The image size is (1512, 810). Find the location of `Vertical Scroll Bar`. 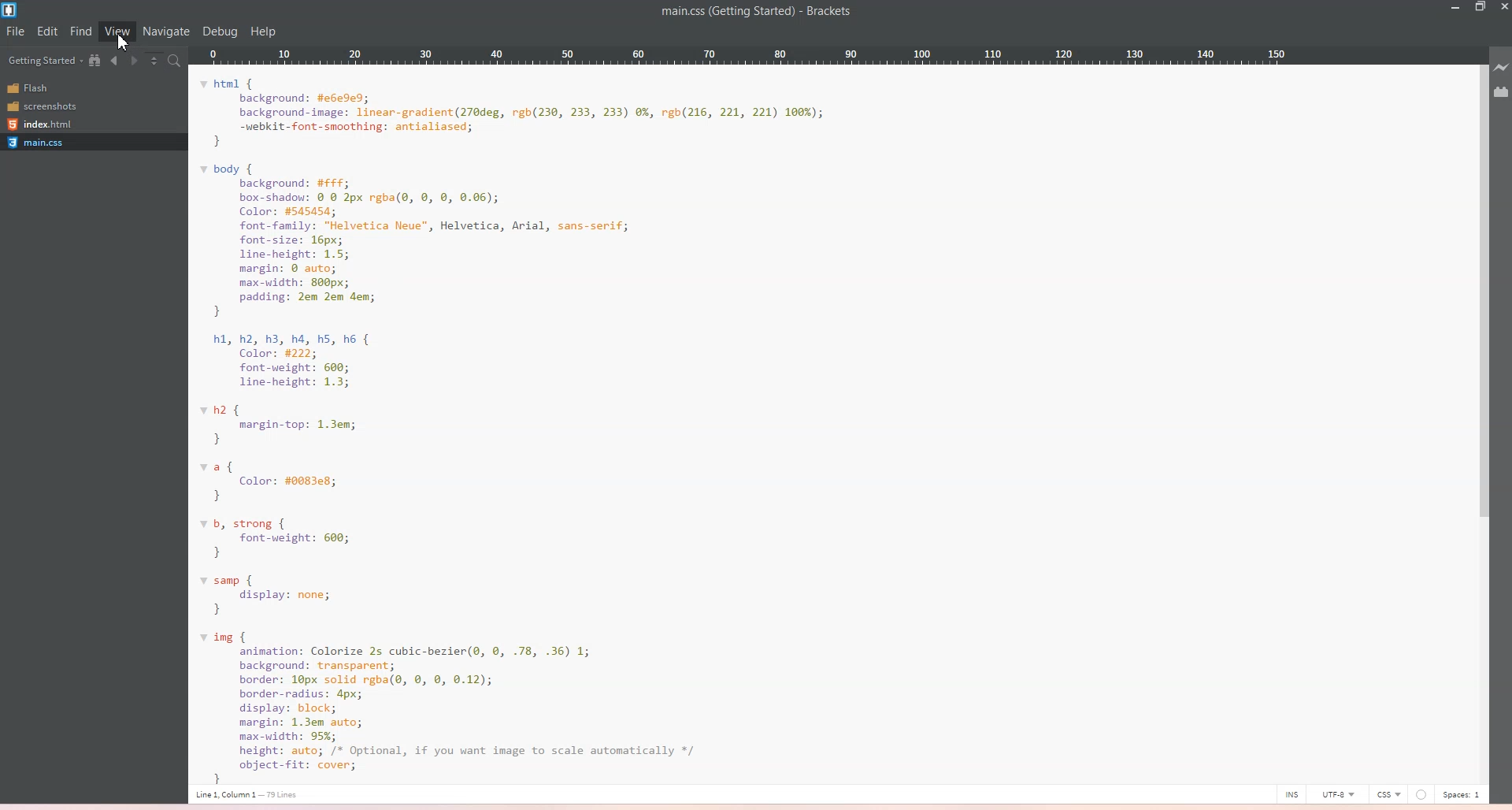

Vertical Scroll Bar is located at coordinates (1481, 421).